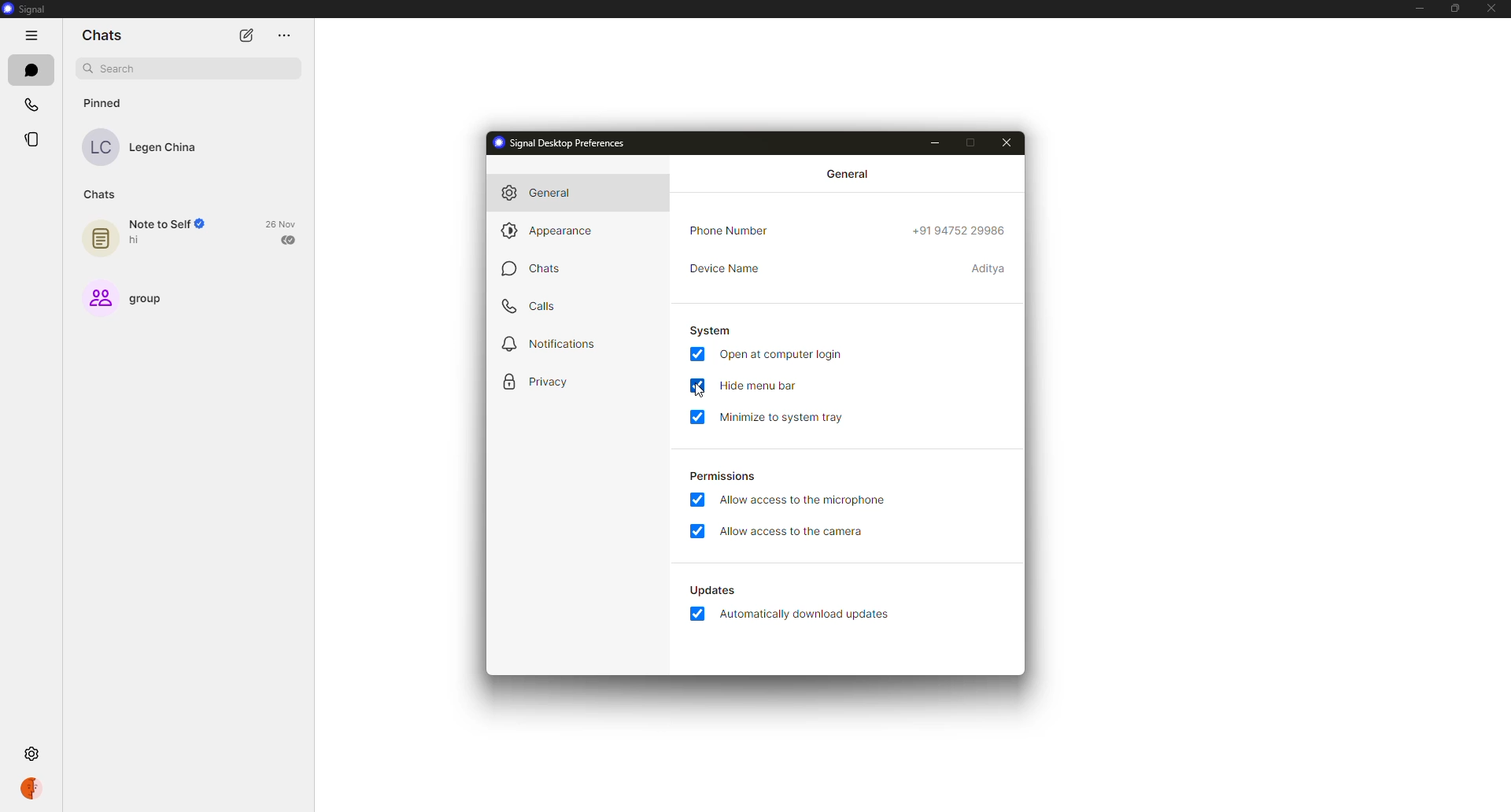 The height and width of the screenshot is (812, 1511). I want to click on automatically download updates, so click(808, 615).